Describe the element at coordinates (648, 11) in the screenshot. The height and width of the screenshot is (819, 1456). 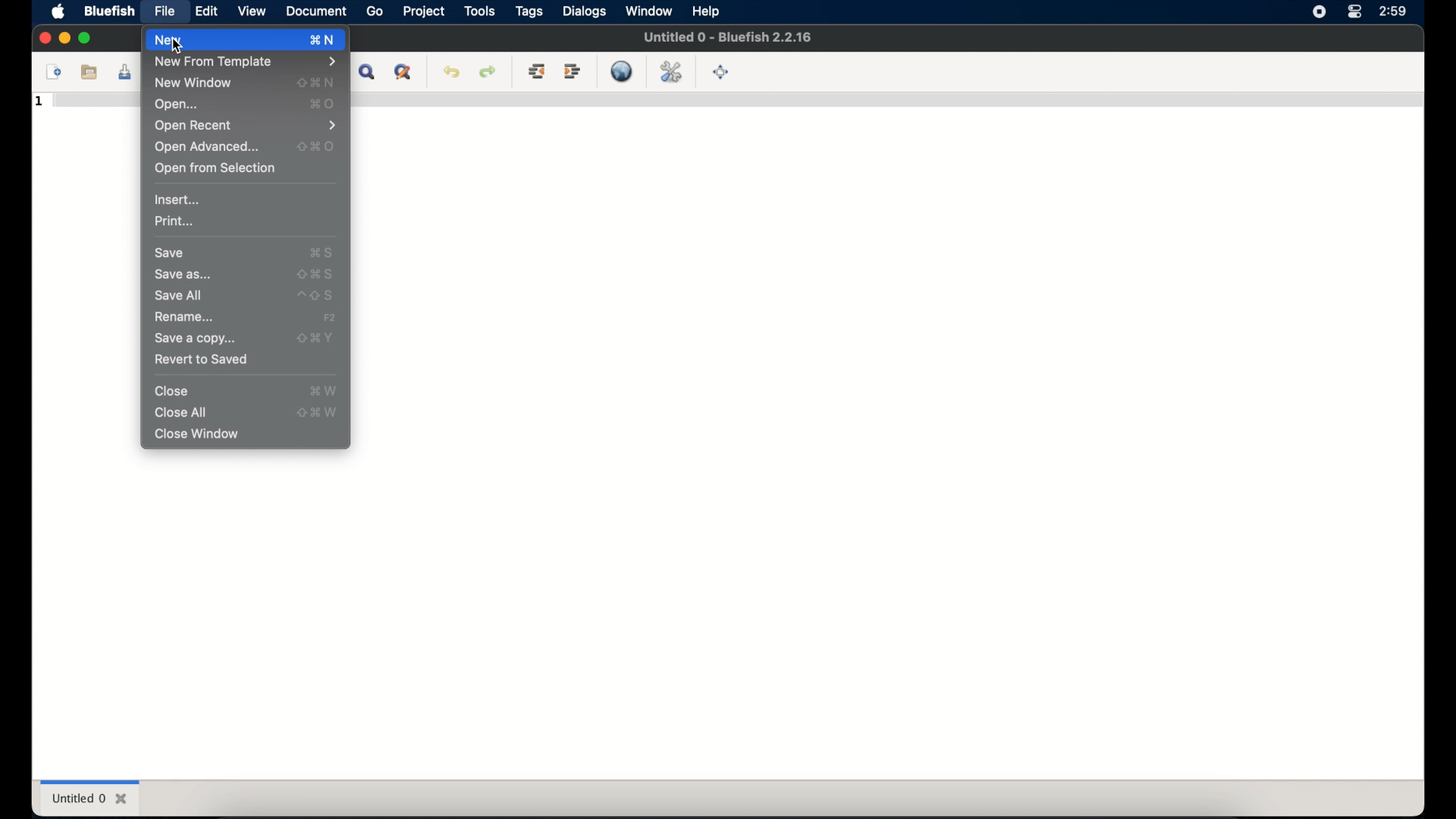
I see `window` at that location.